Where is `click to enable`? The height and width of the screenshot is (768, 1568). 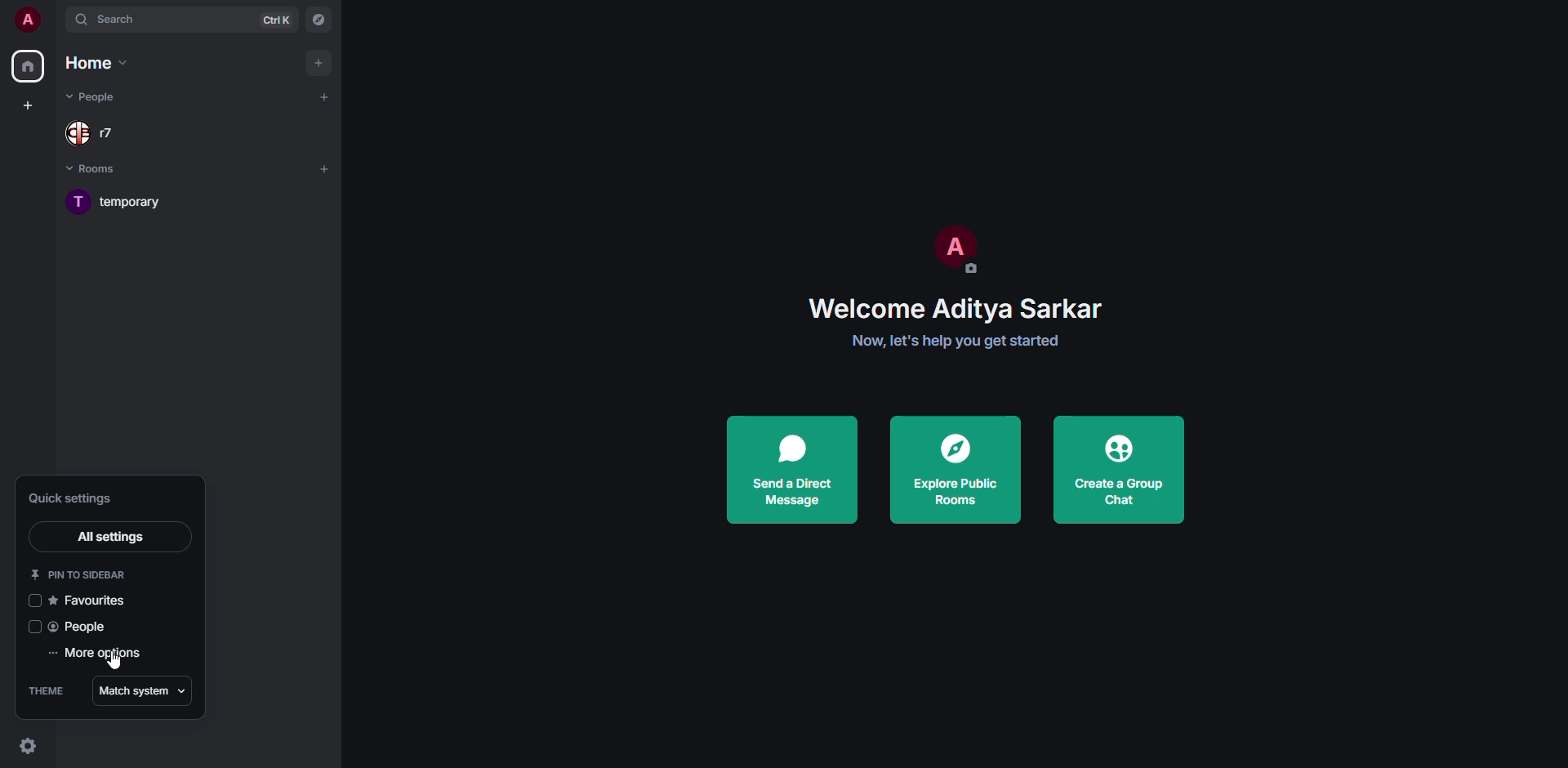 click to enable is located at coordinates (31, 627).